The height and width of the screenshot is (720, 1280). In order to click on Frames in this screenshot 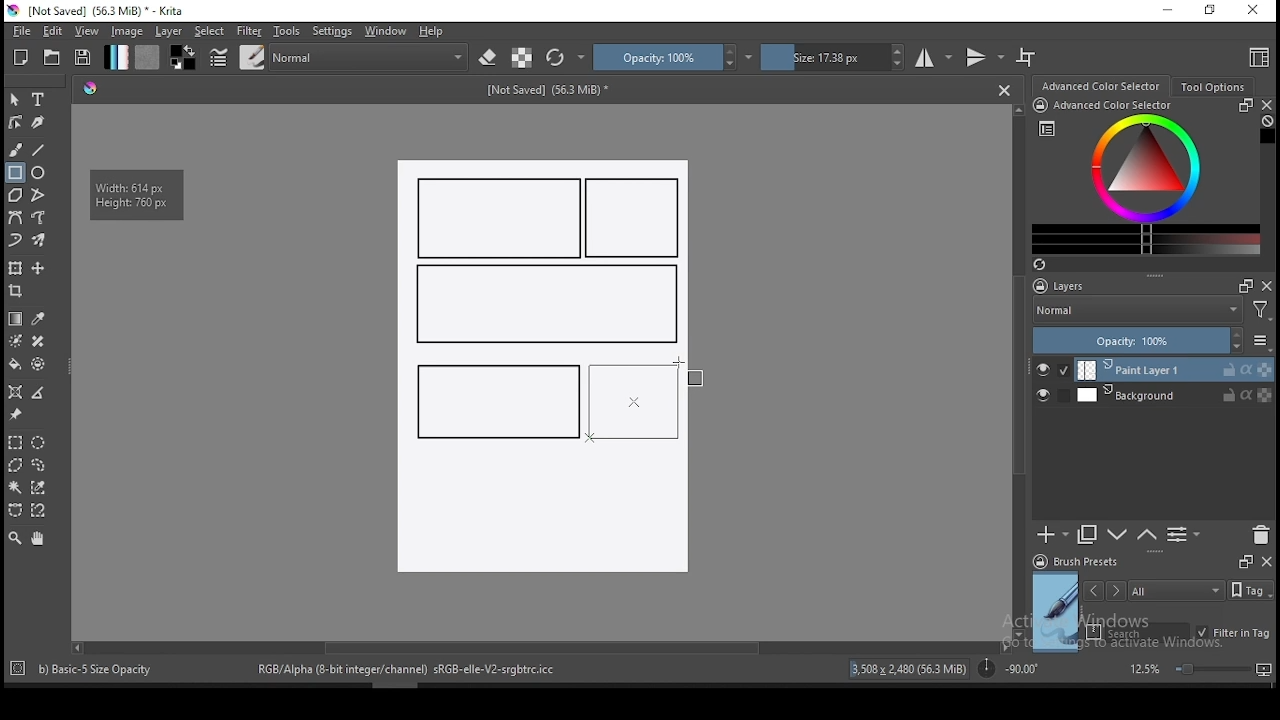, I will do `click(1245, 561)`.